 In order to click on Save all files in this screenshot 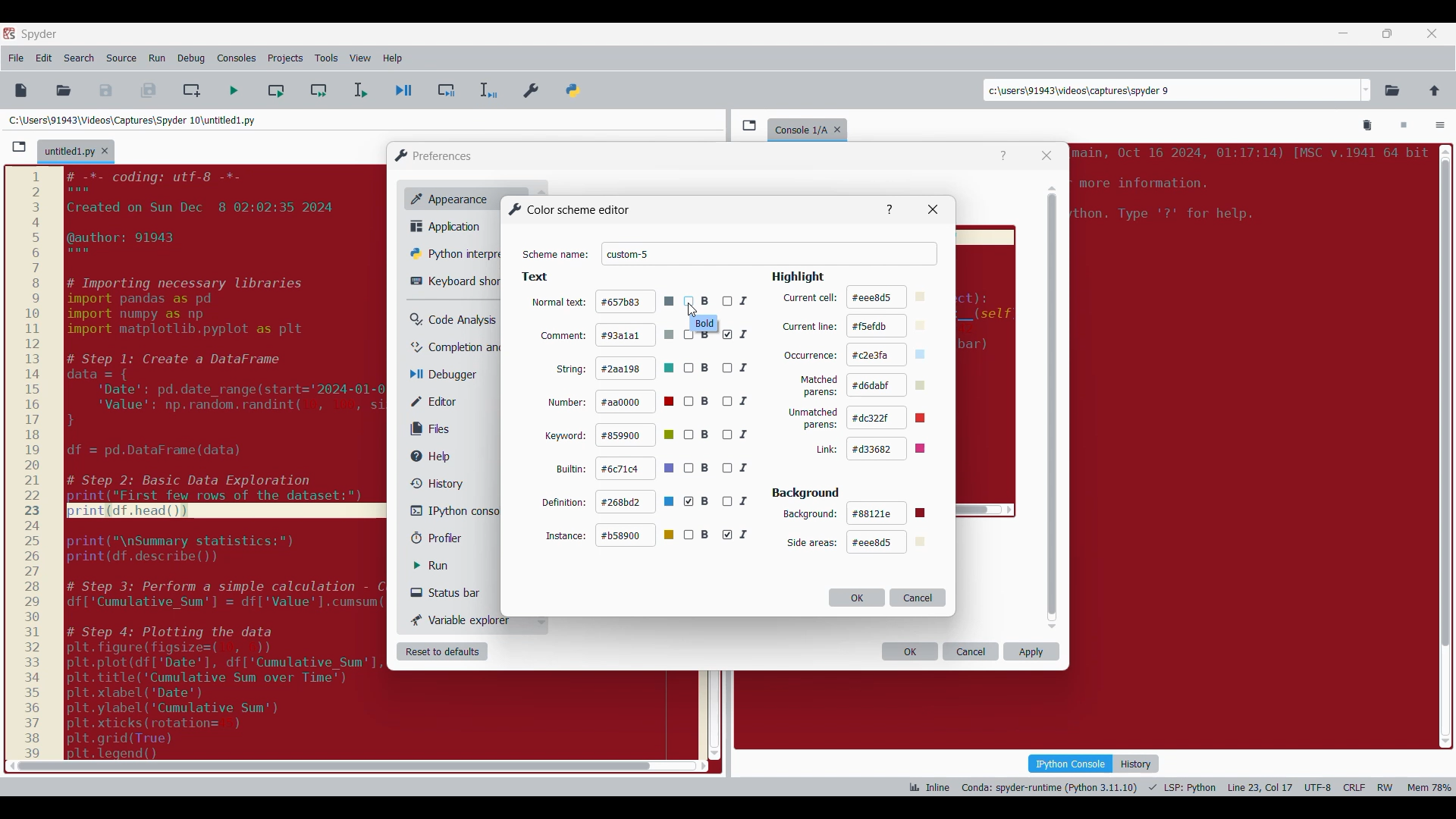, I will do `click(148, 90)`.